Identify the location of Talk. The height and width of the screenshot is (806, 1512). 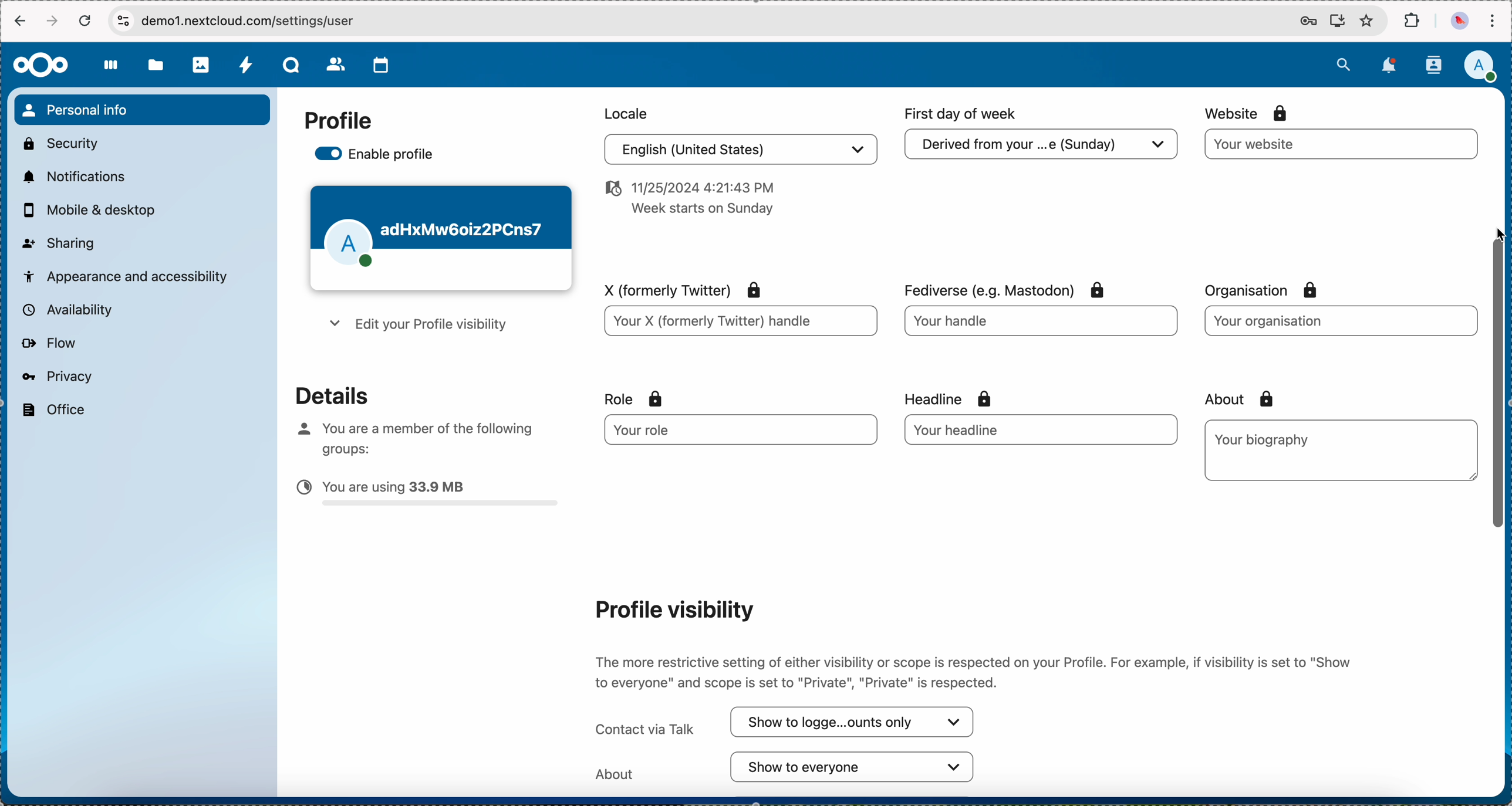
(293, 66).